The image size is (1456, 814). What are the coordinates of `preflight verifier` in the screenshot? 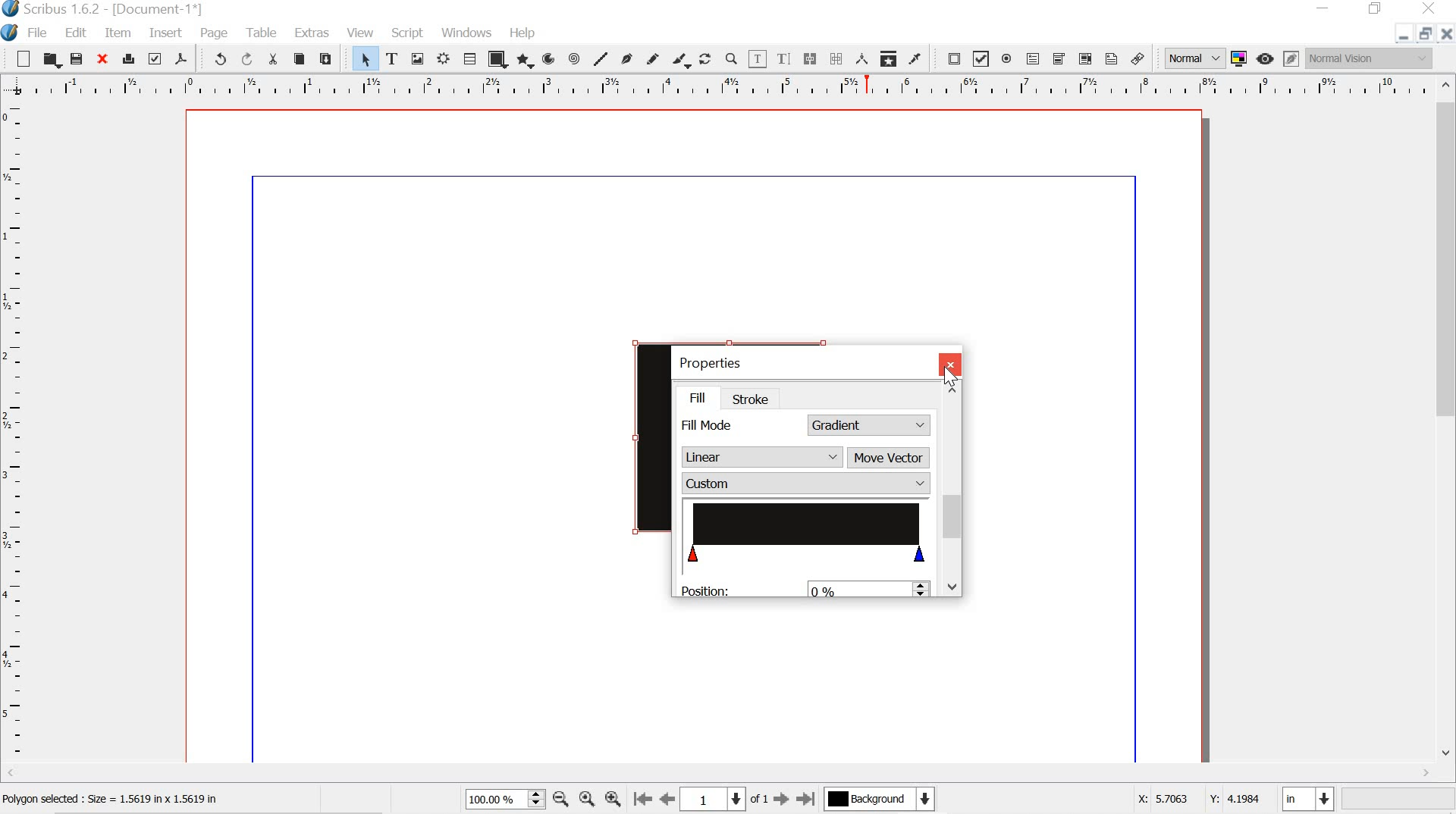 It's located at (156, 61).